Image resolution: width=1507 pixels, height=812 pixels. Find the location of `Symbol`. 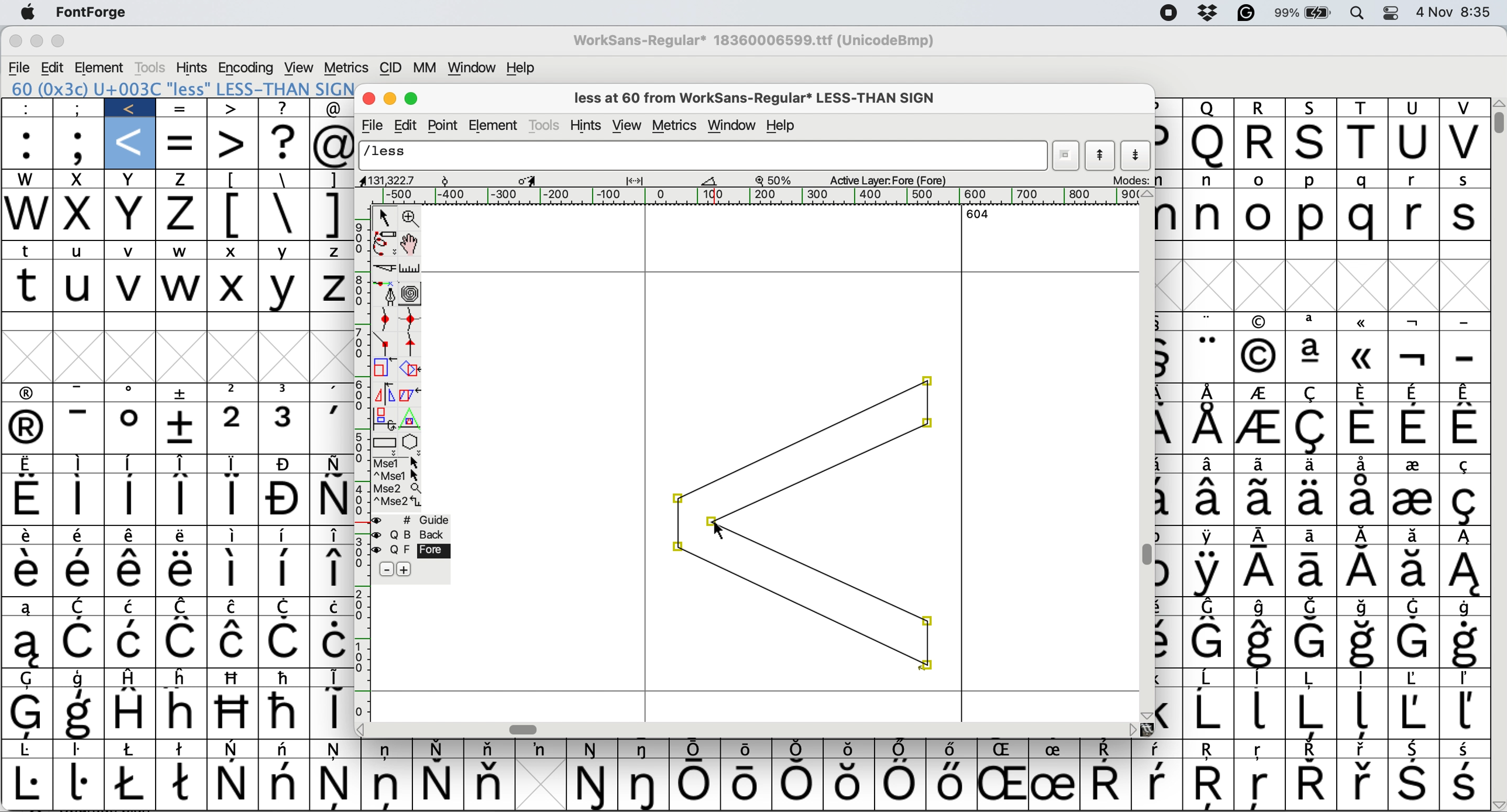

Symbol is located at coordinates (951, 784).